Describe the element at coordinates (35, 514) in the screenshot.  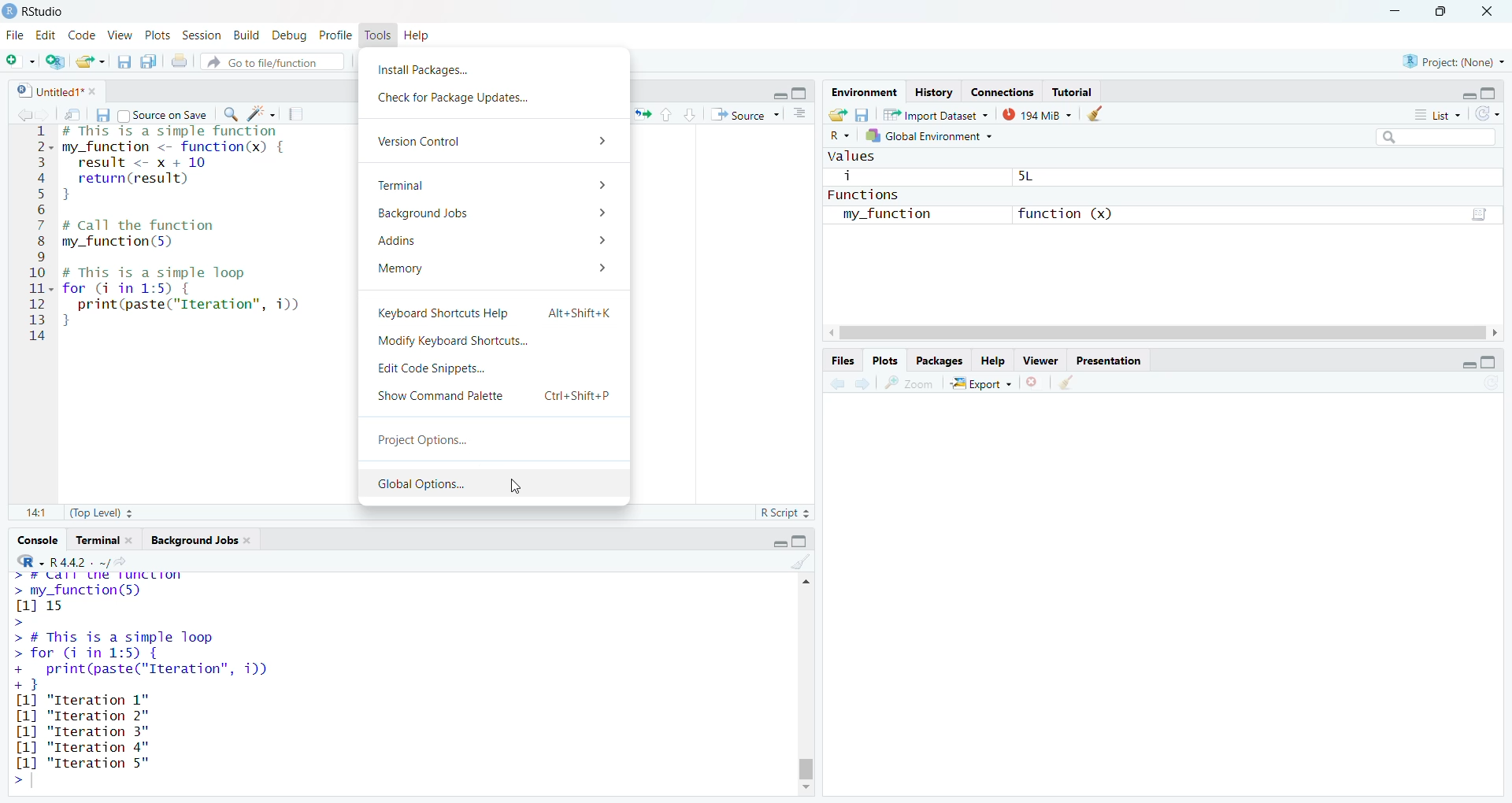
I see `14:1` at that location.